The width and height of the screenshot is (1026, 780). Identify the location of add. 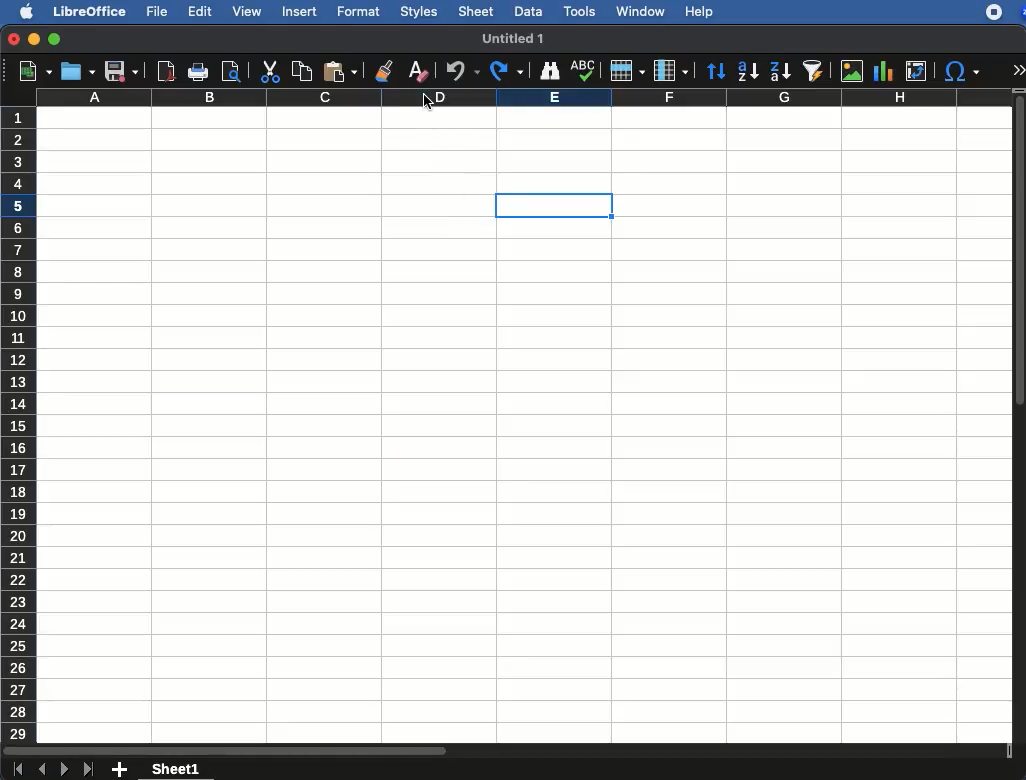
(120, 770).